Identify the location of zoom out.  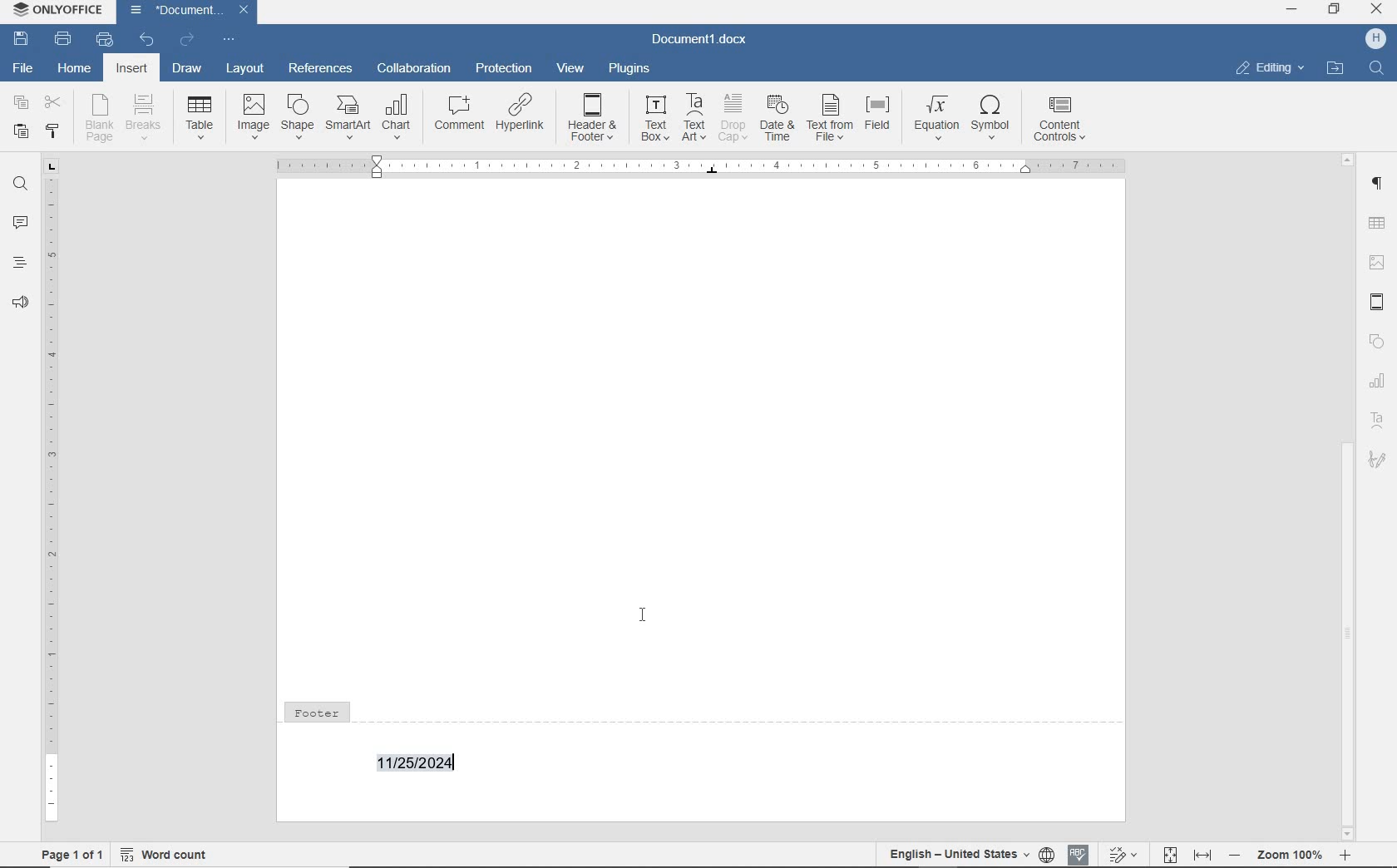
(1236, 855).